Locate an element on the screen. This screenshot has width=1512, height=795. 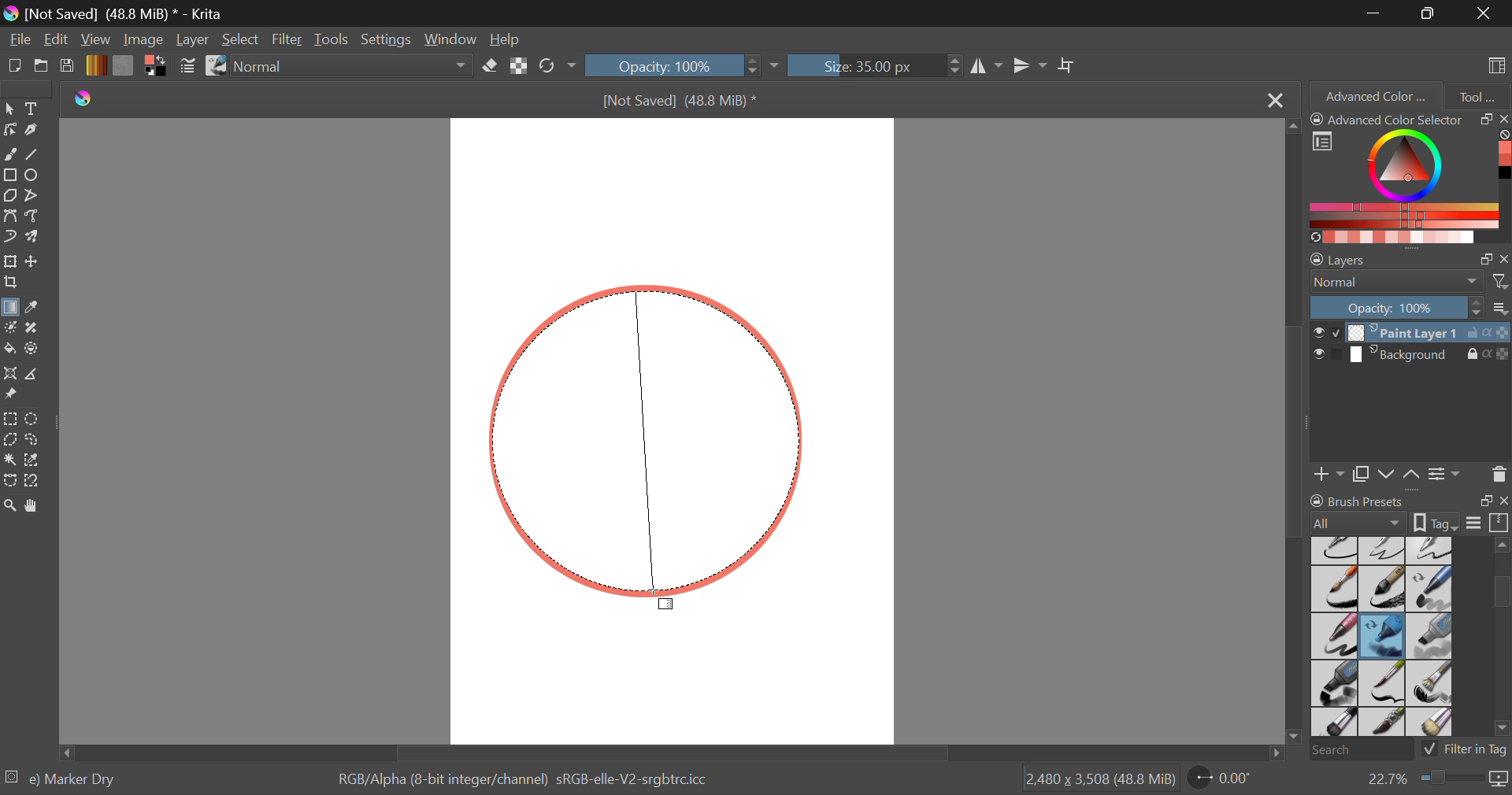
Enclose and Fill Tool is located at coordinates (33, 349).